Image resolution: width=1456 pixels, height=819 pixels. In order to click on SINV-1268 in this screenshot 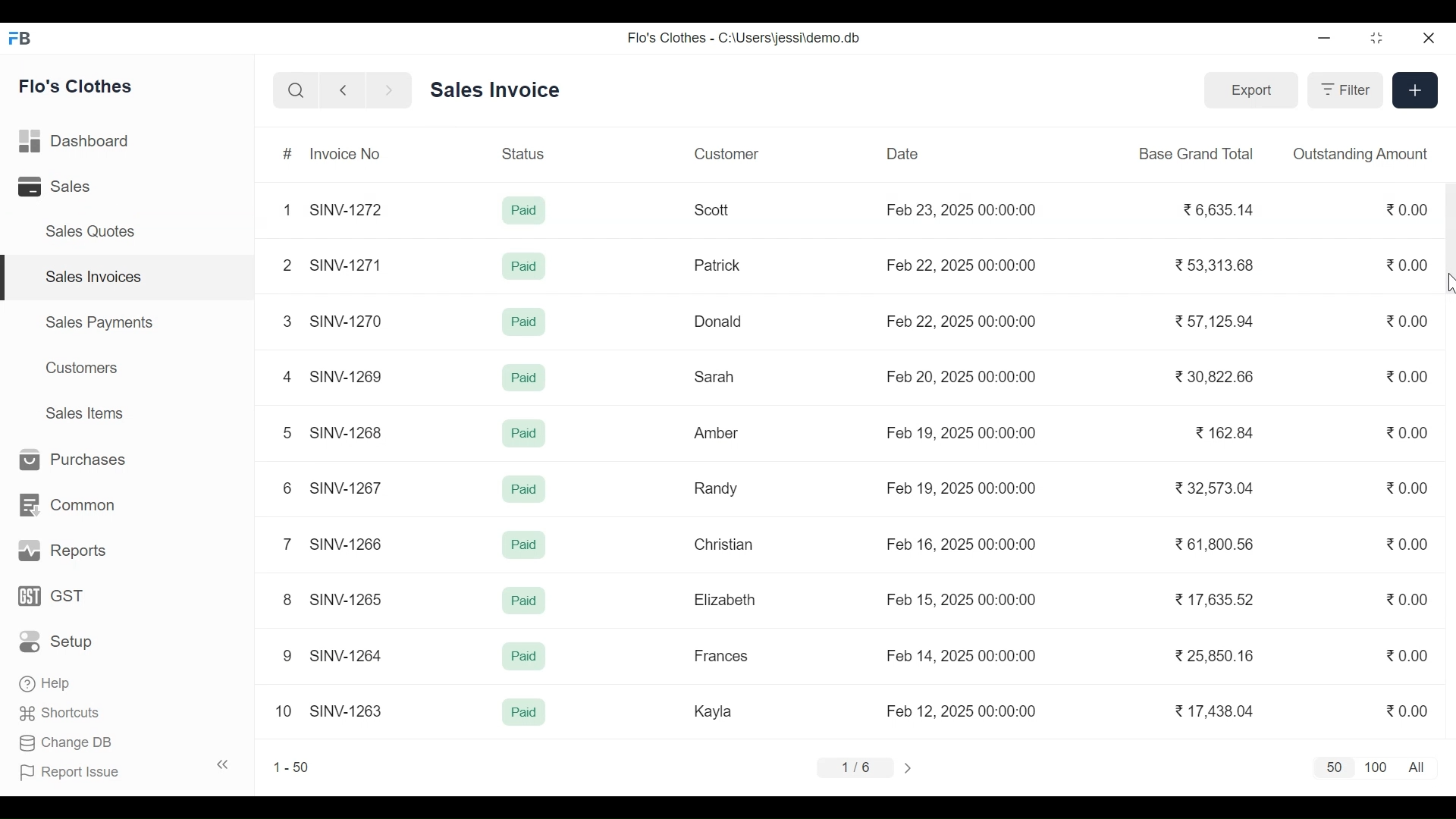, I will do `click(348, 431)`.